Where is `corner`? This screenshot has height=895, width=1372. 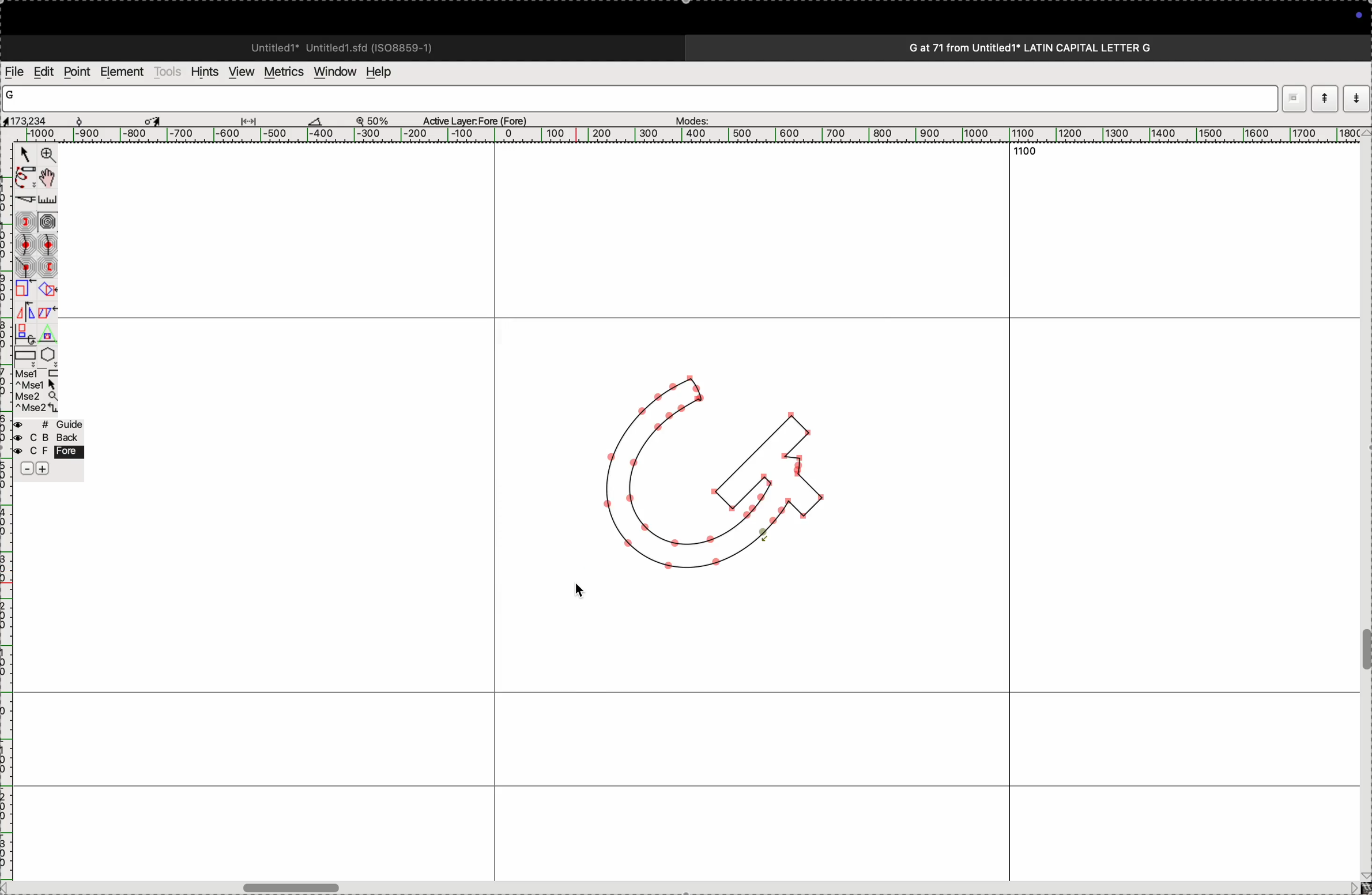 corner is located at coordinates (27, 266).